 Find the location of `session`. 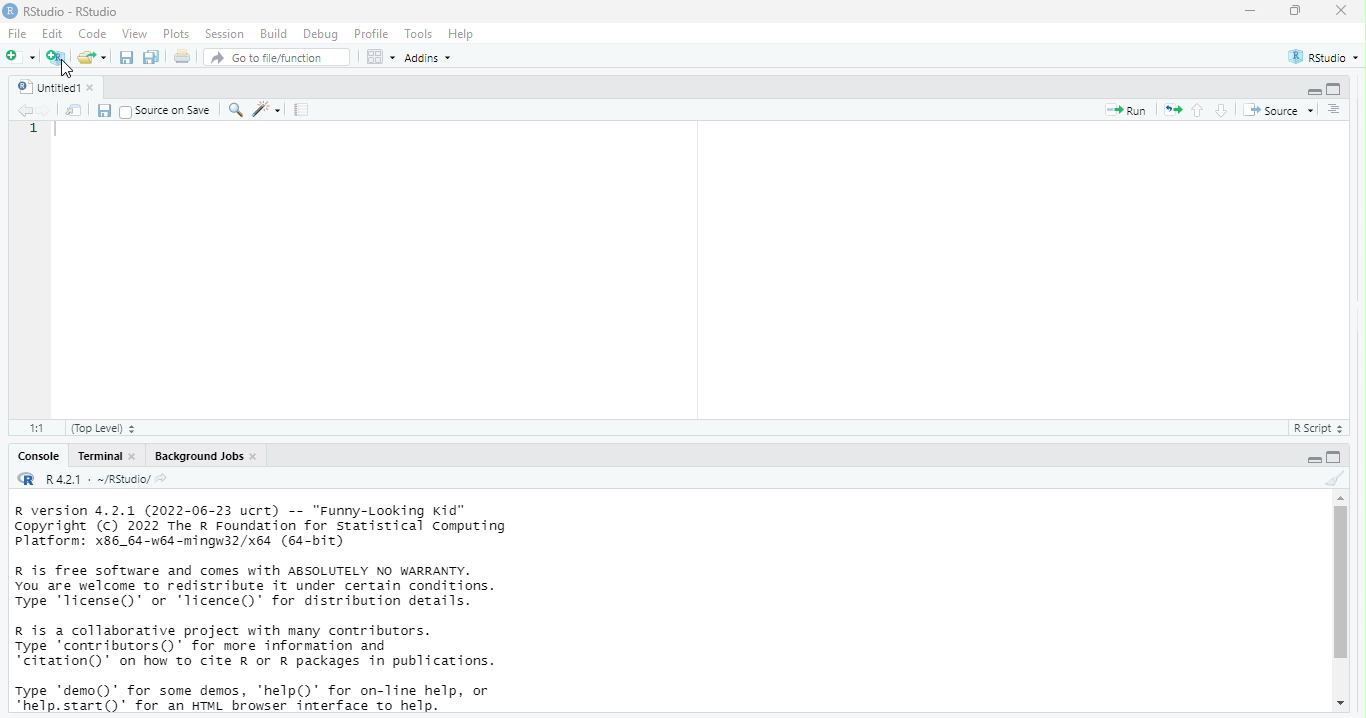

session is located at coordinates (224, 34).